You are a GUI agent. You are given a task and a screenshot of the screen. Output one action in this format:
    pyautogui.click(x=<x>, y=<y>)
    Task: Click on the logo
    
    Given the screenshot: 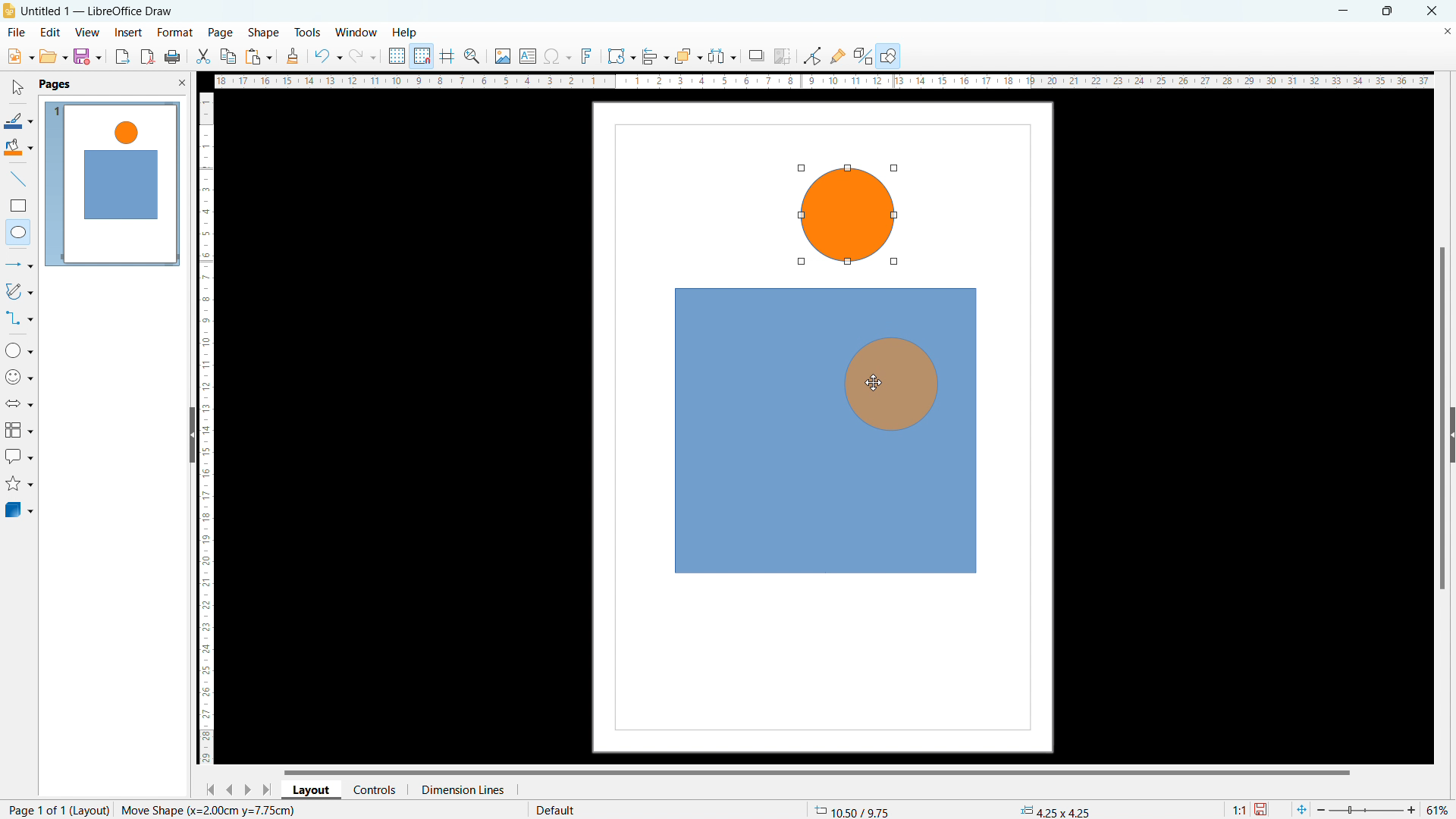 What is the action you would take?
    pyautogui.click(x=9, y=11)
    